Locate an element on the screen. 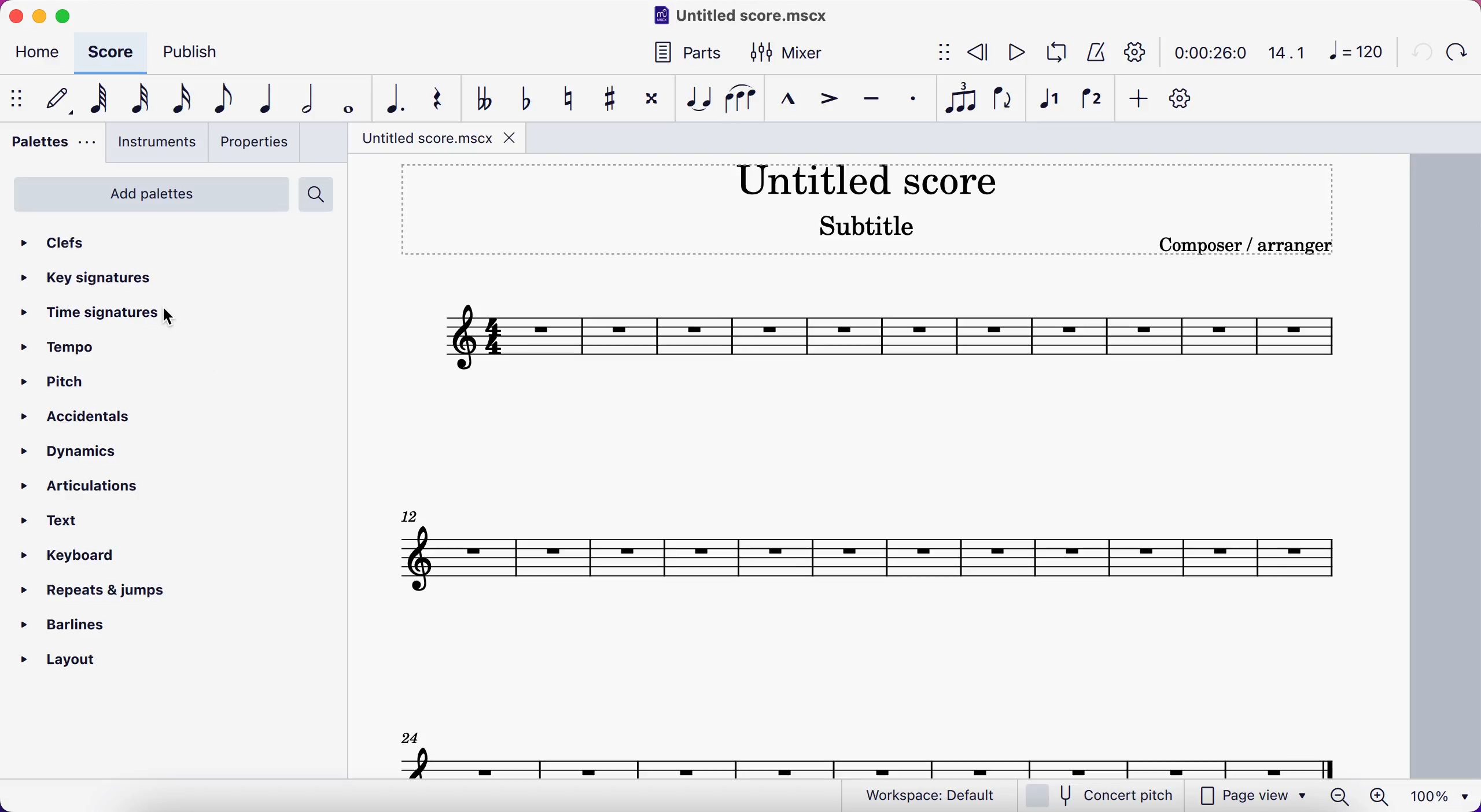 Image resolution: width=1481 pixels, height=812 pixels. quarter note is located at coordinates (261, 98).